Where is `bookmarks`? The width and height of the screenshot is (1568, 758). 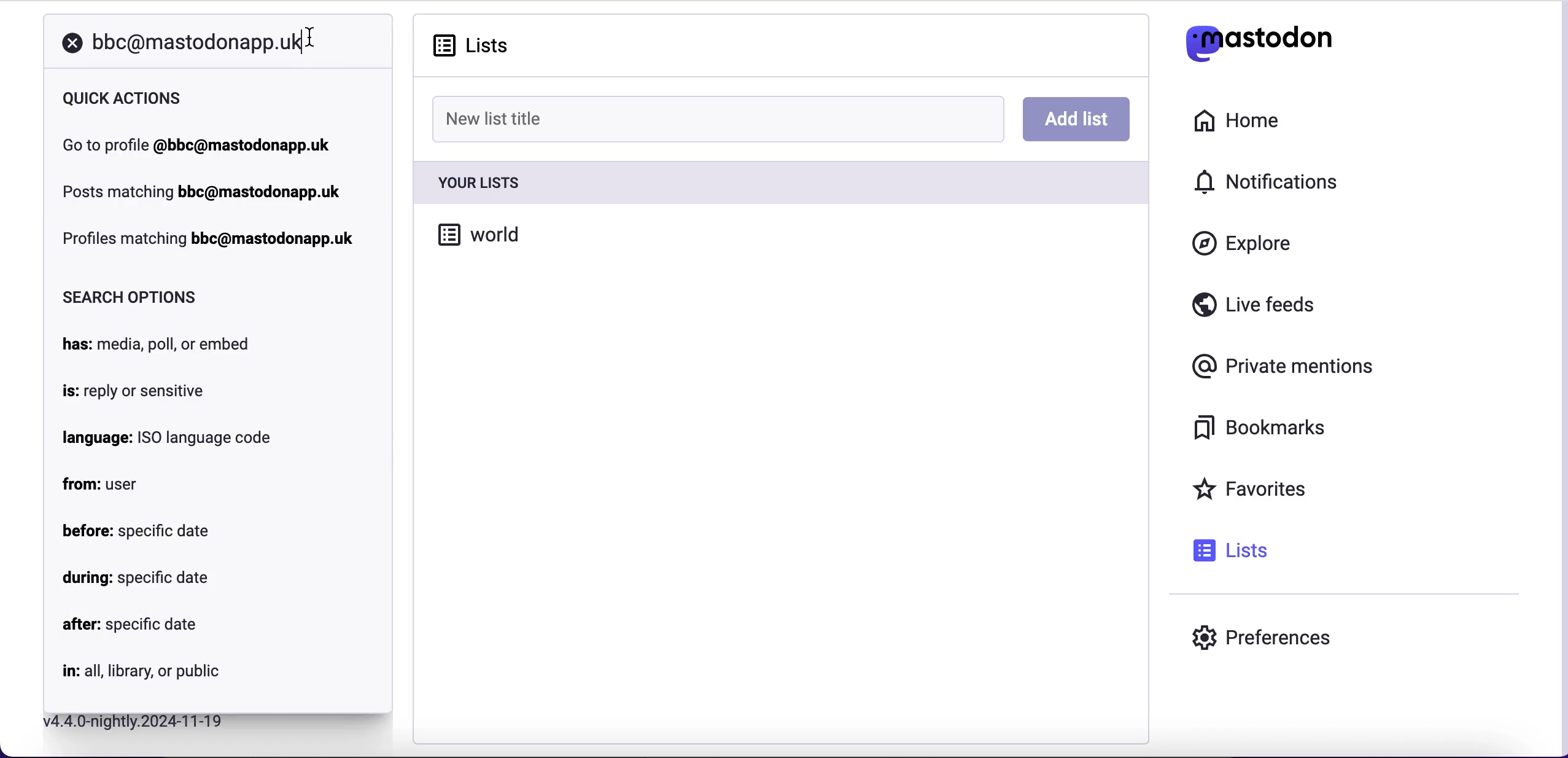
bookmarks is located at coordinates (1263, 428).